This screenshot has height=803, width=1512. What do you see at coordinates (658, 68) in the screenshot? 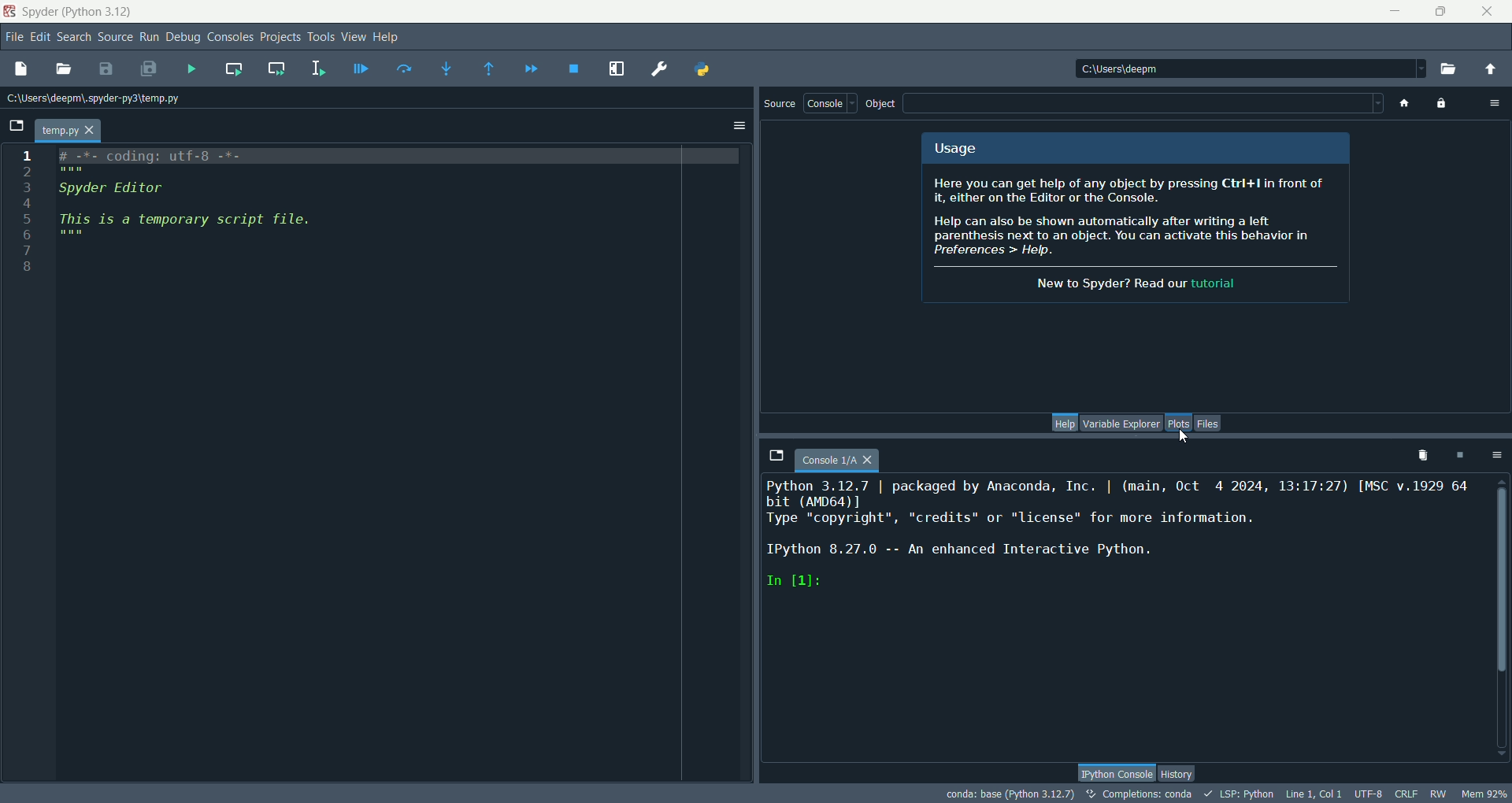
I see `preferences` at bounding box center [658, 68].